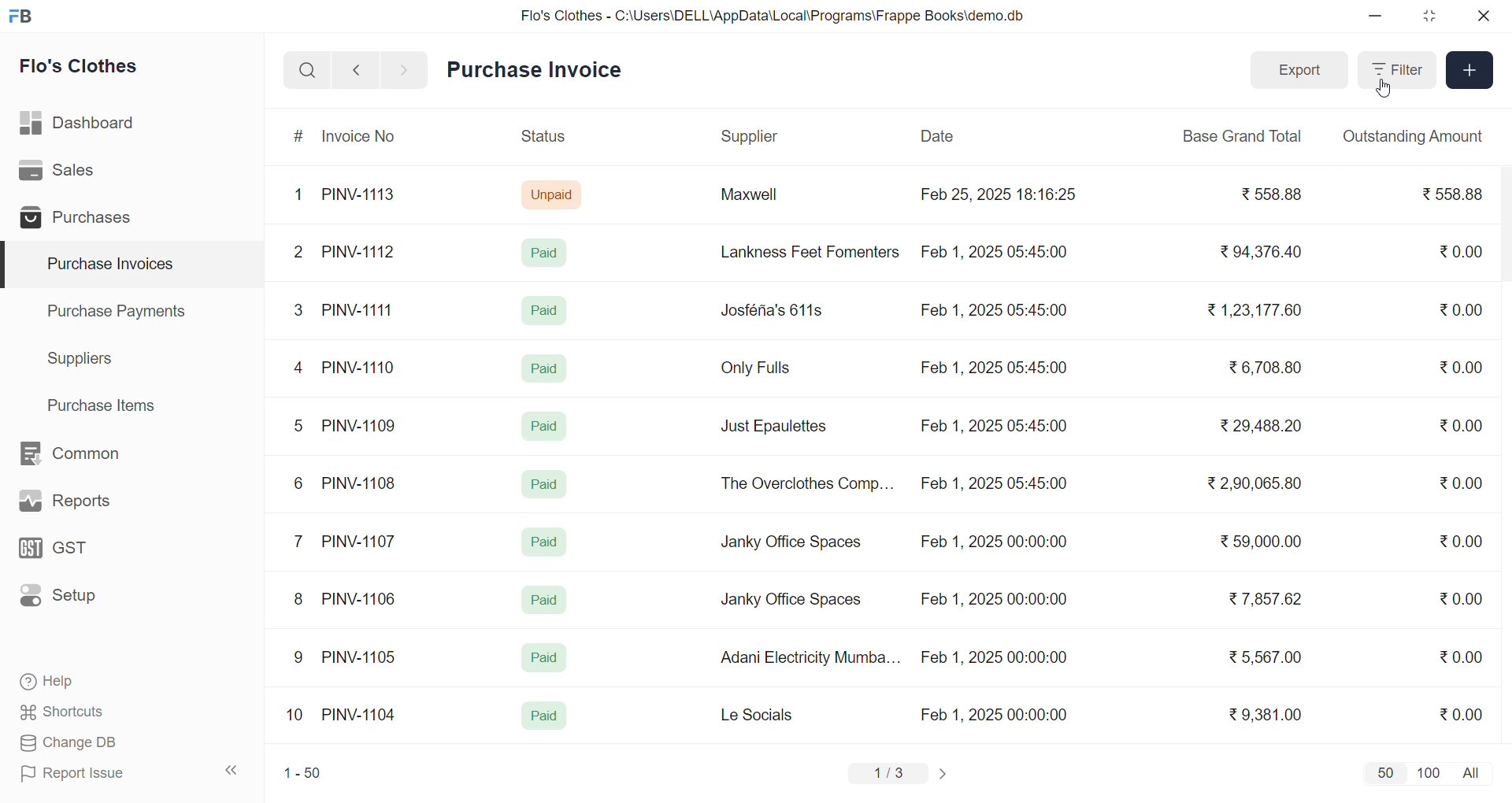 Image resolution: width=1512 pixels, height=803 pixels. I want to click on Date, so click(939, 136).